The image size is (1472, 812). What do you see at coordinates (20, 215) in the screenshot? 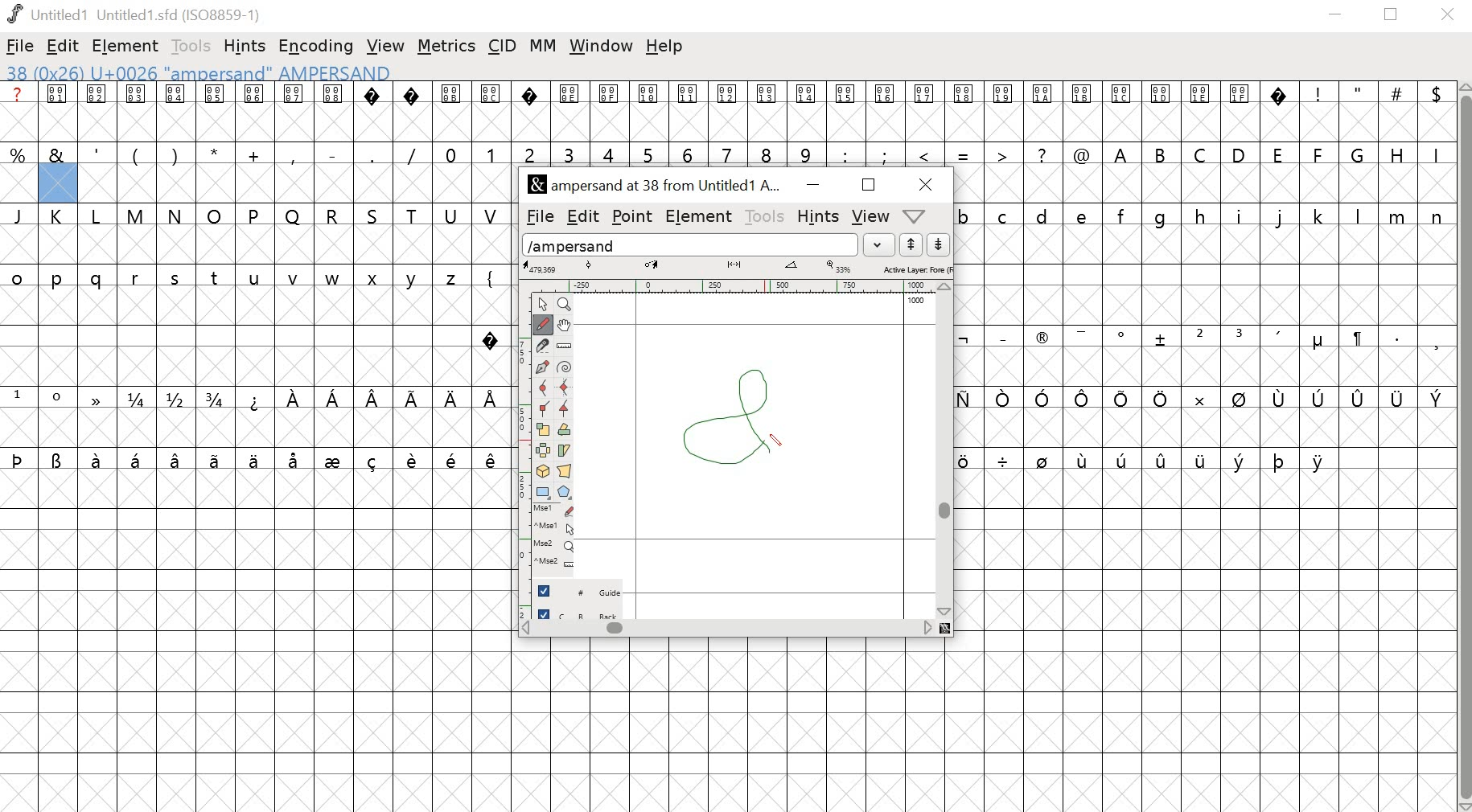
I see `J` at bounding box center [20, 215].